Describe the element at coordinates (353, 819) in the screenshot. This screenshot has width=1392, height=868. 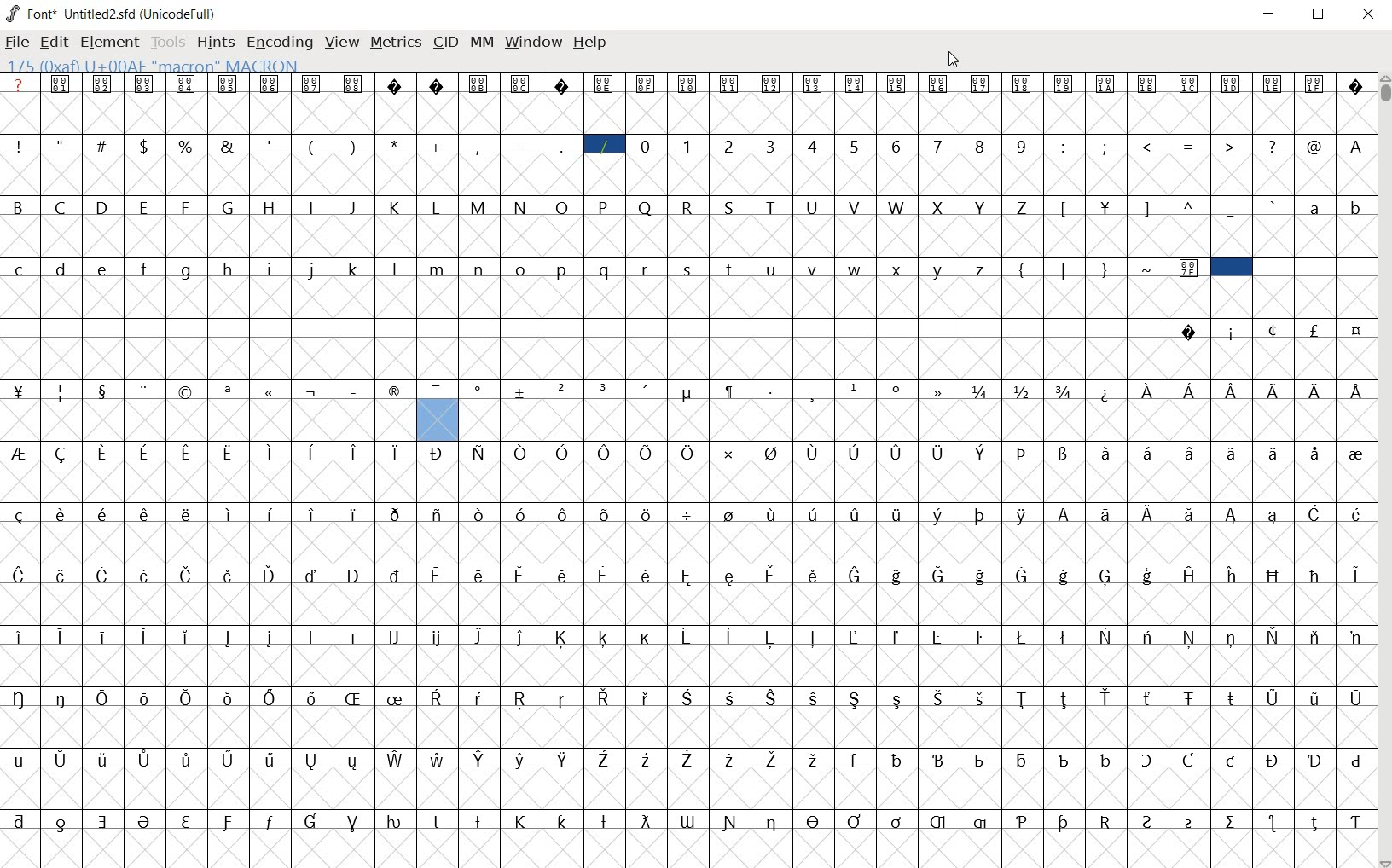
I see `Symbol` at that location.